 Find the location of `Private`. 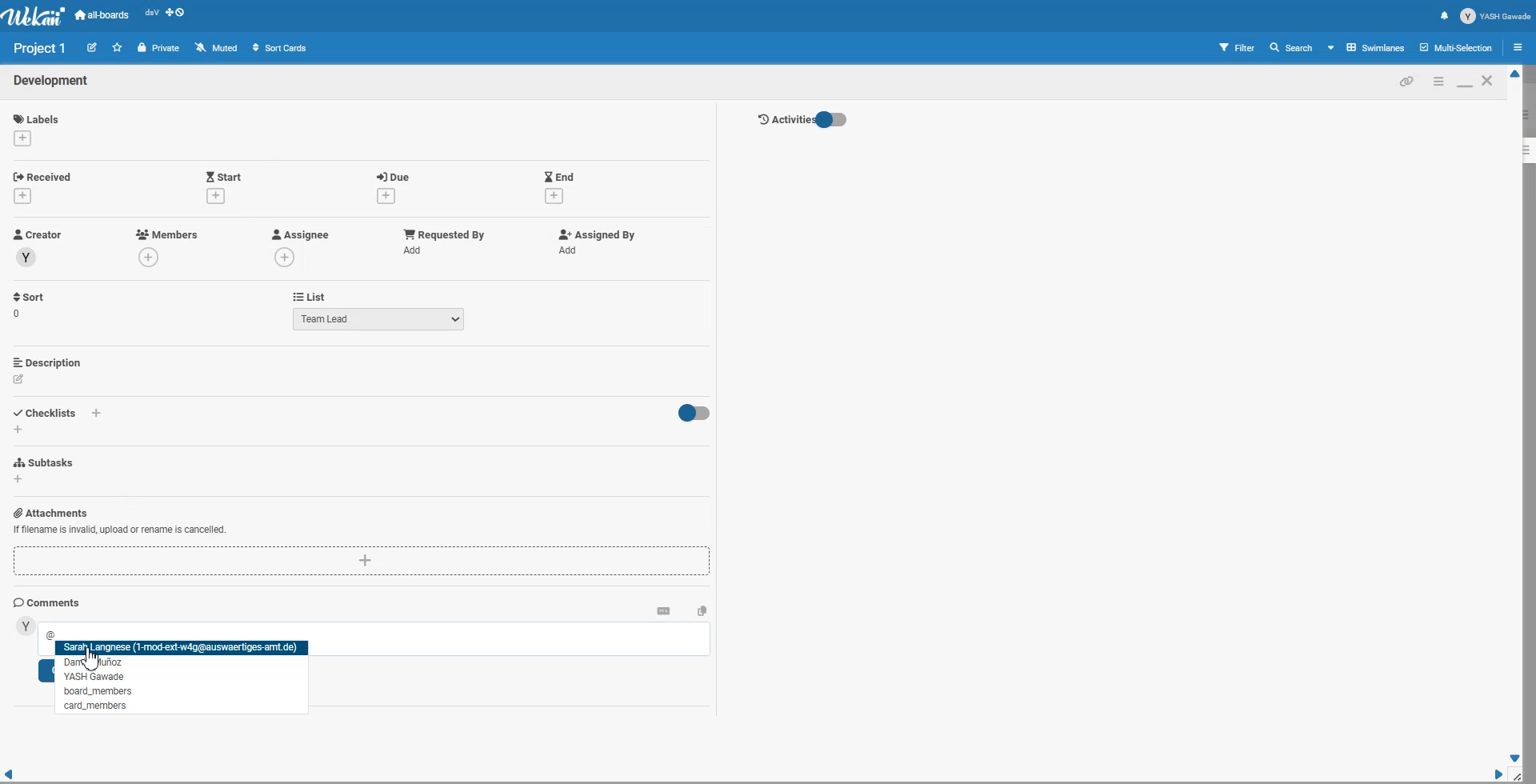

Private is located at coordinates (159, 48).